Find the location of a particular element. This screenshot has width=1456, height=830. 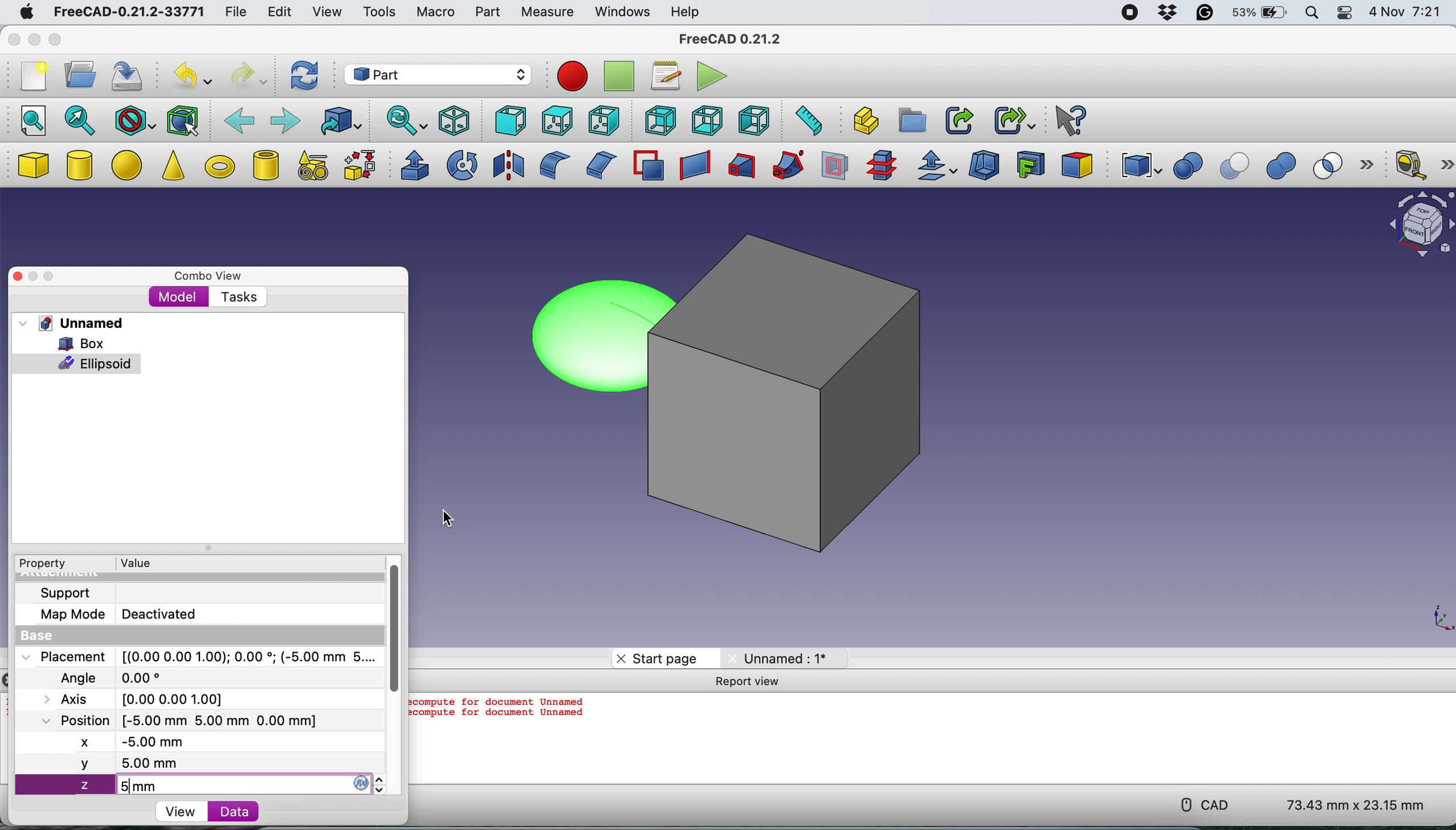

What's this? is located at coordinates (1068, 119).